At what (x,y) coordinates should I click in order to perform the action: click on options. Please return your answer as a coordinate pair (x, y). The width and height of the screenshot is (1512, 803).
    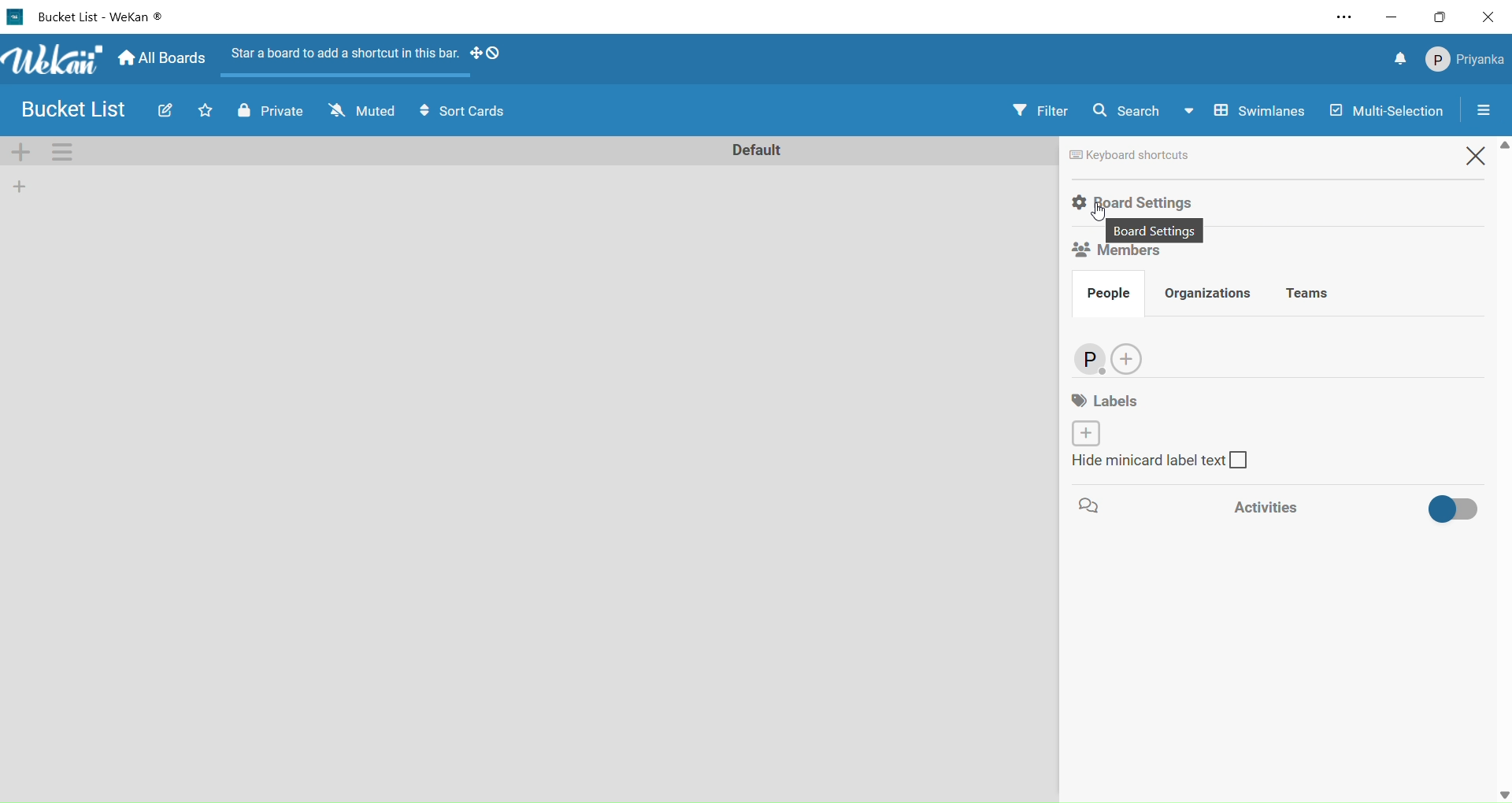
    Looking at the image, I should click on (1488, 111).